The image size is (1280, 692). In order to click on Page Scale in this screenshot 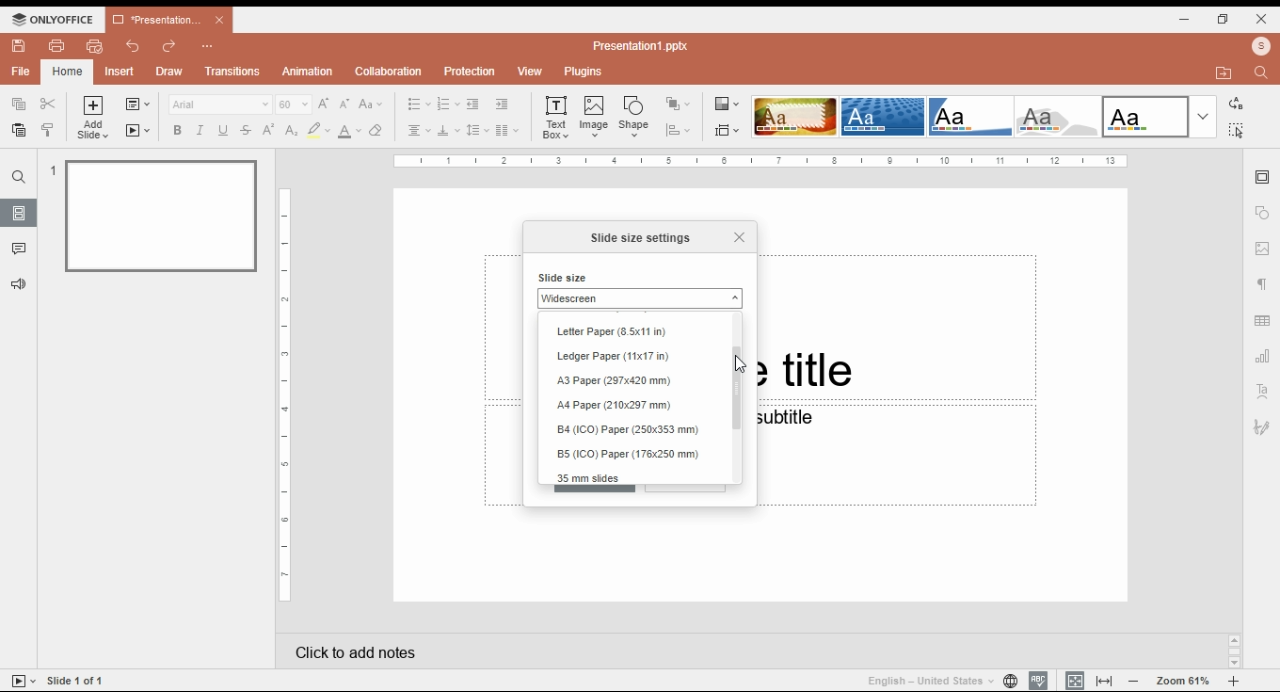, I will do `click(761, 161)`.